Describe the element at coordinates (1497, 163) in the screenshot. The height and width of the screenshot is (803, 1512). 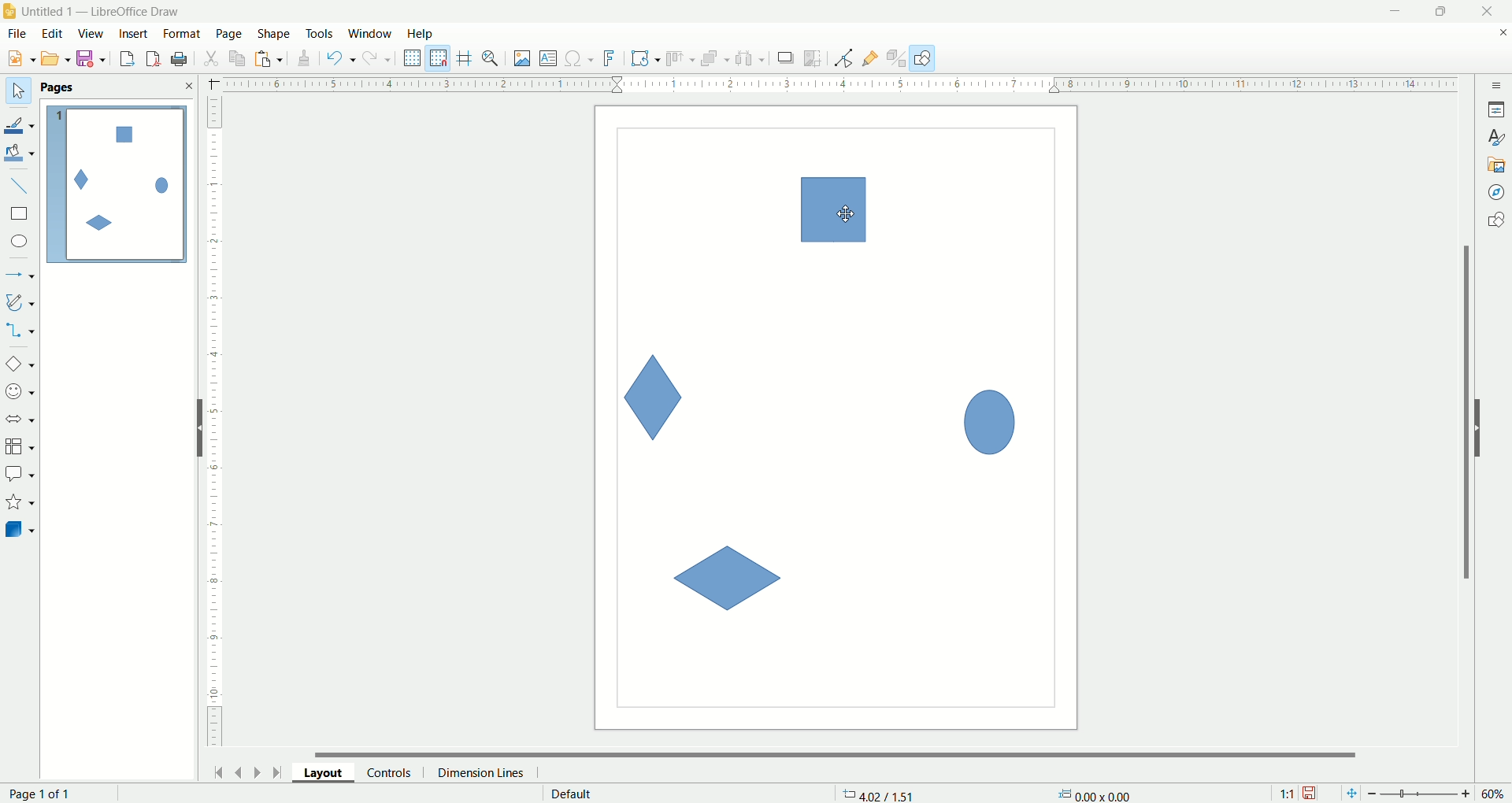
I see `gallery` at that location.